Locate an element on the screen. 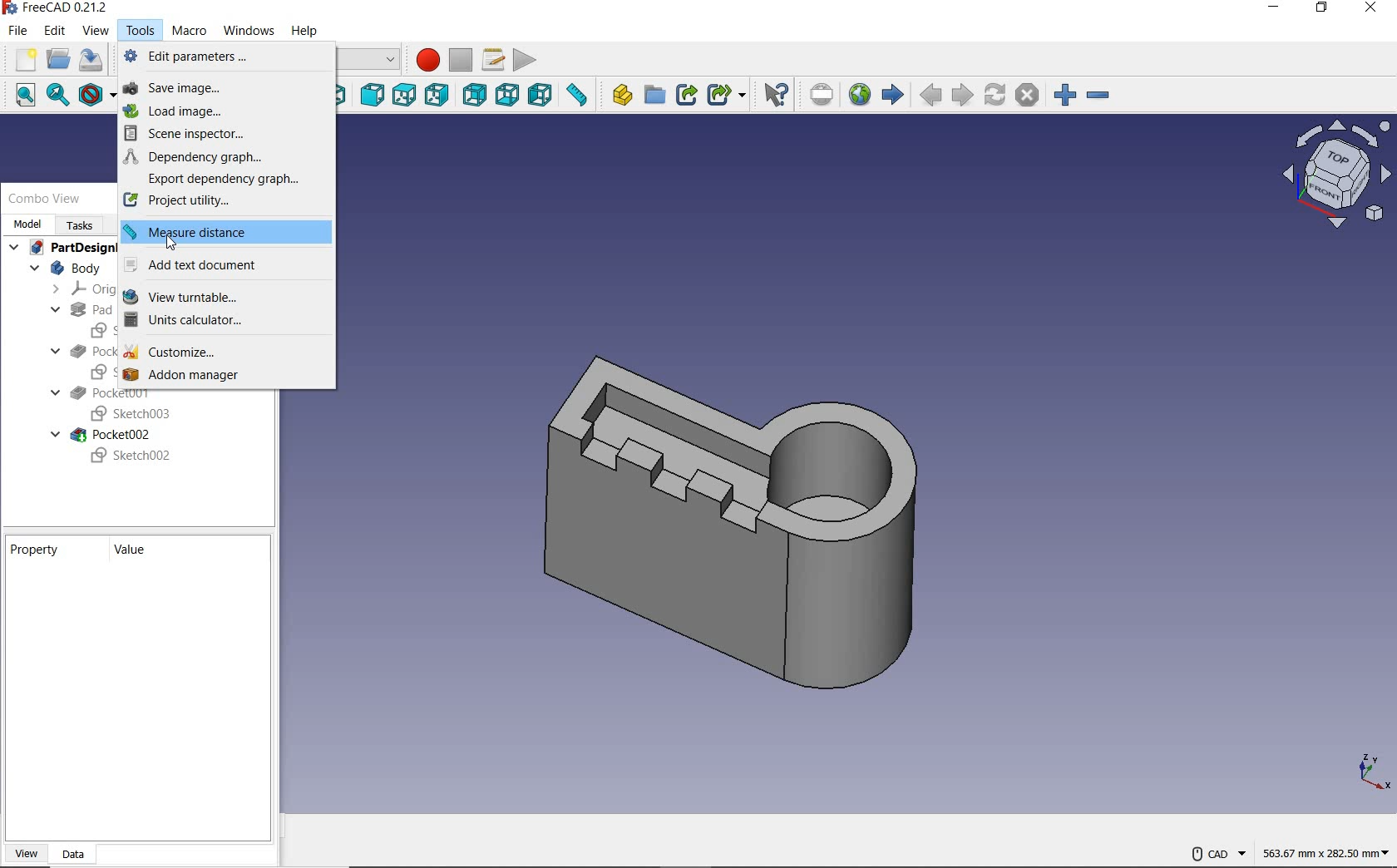 The image size is (1397, 868). right is located at coordinates (437, 94).